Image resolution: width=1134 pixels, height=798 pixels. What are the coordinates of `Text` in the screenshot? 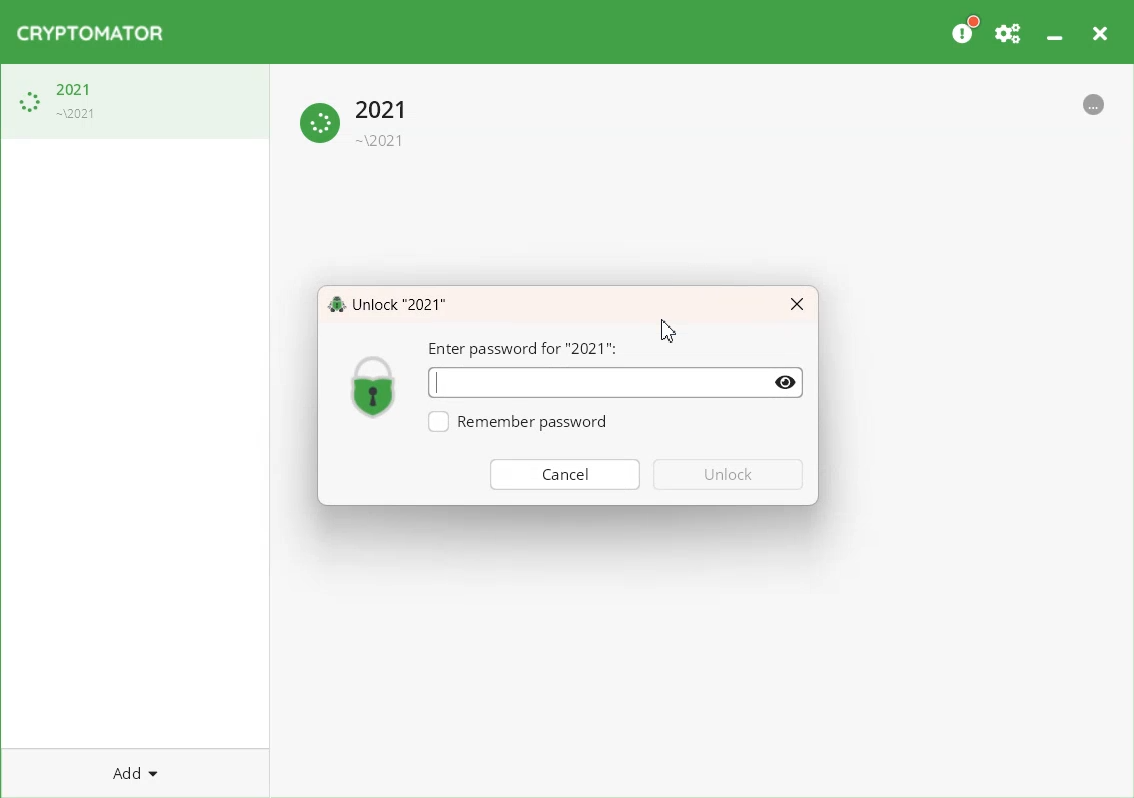 It's located at (387, 303).